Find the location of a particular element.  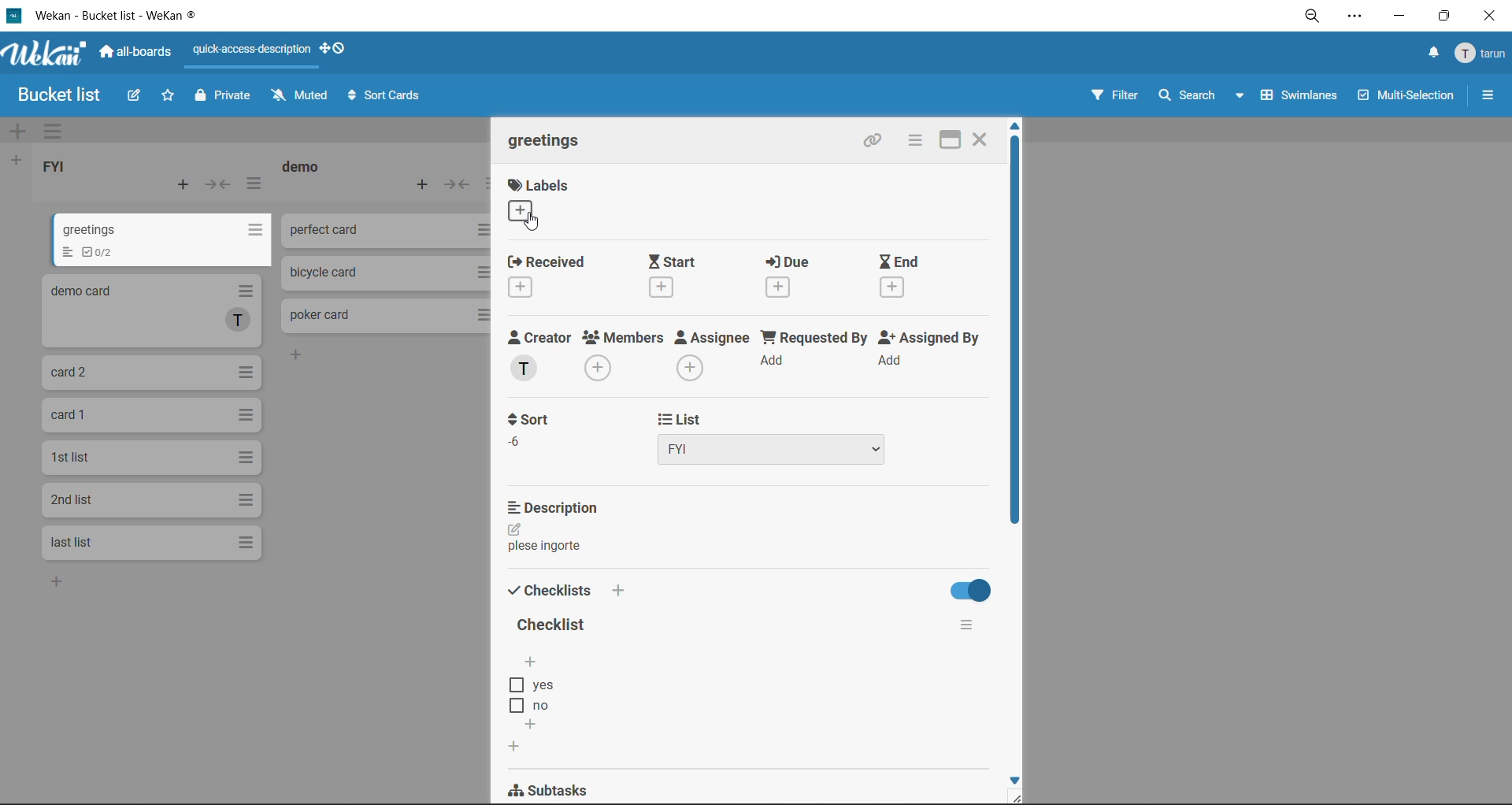

edit is located at coordinates (522, 530).